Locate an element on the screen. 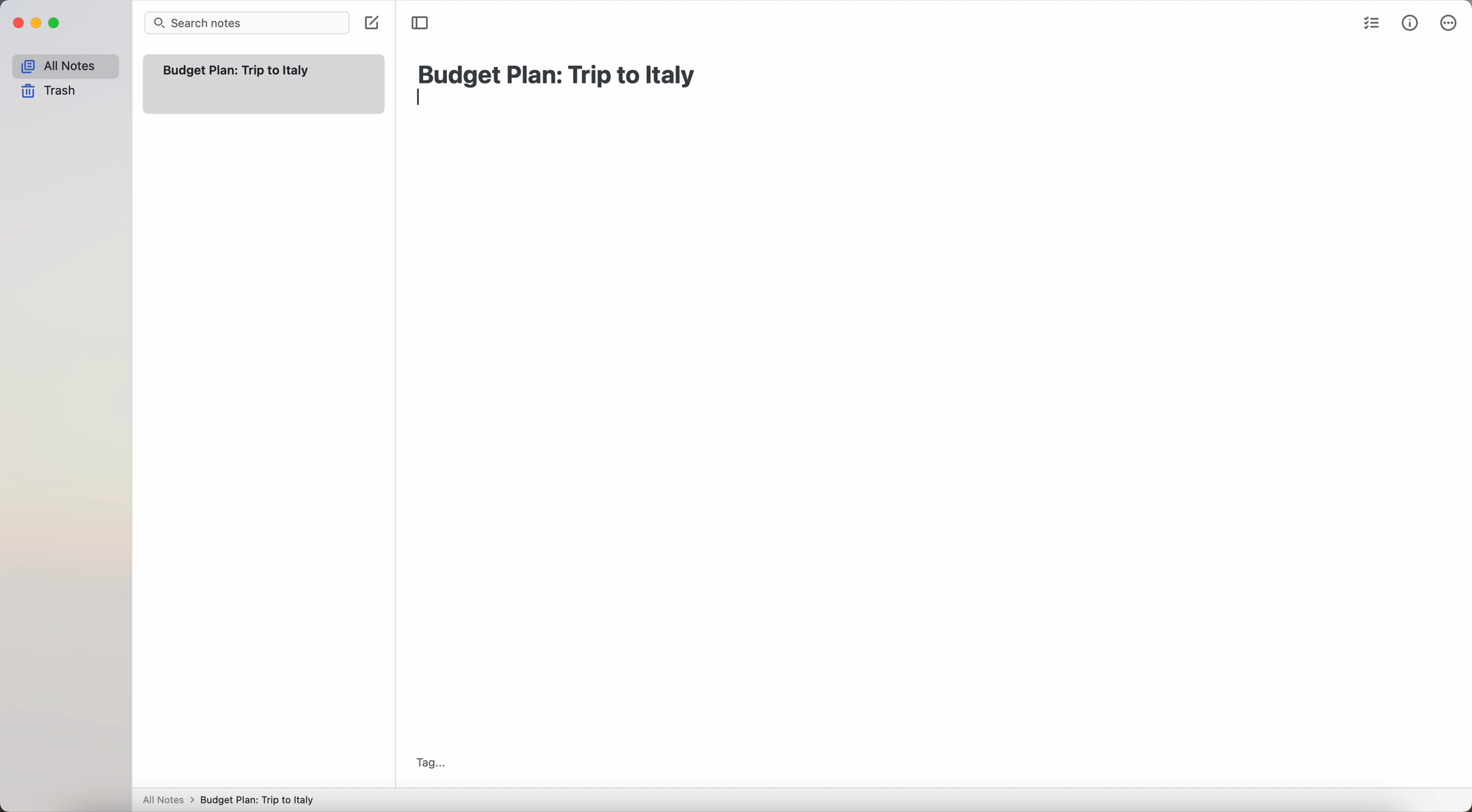 The image size is (1472, 812). check list is located at coordinates (1372, 26).